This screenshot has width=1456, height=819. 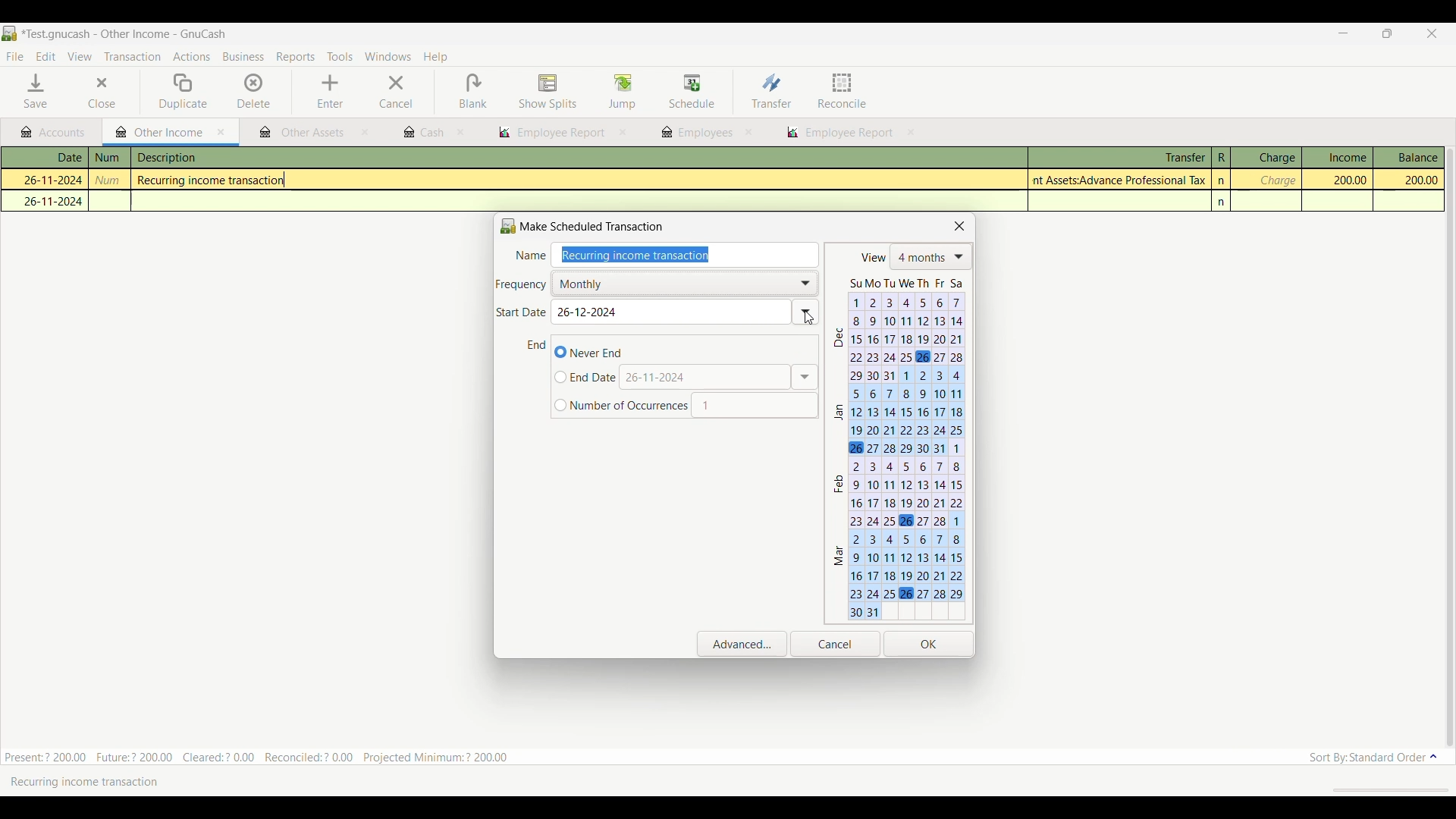 What do you see at coordinates (14, 57) in the screenshot?
I see `File menu` at bounding box center [14, 57].